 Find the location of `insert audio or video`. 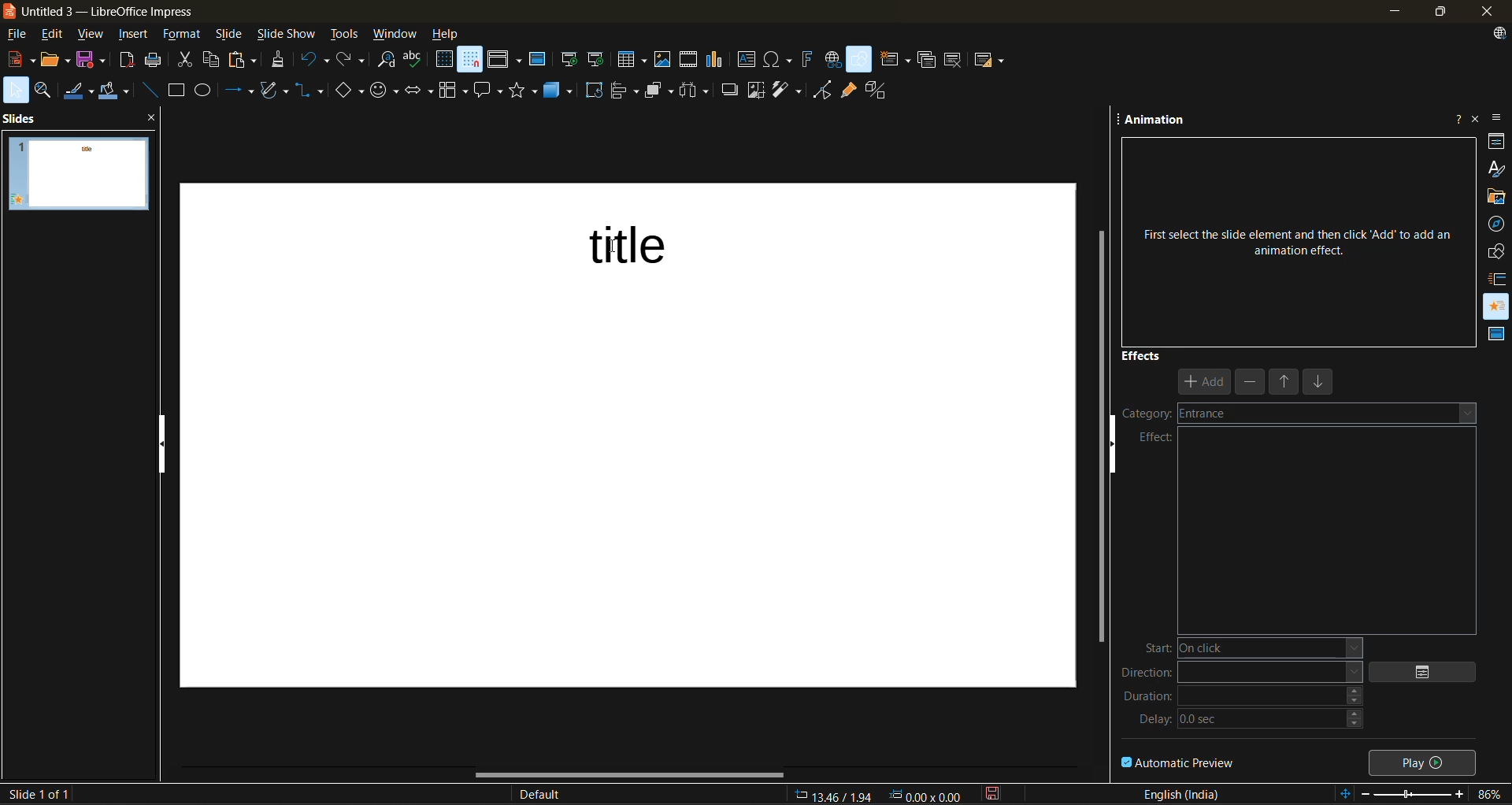

insert audio or video is located at coordinates (689, 61).